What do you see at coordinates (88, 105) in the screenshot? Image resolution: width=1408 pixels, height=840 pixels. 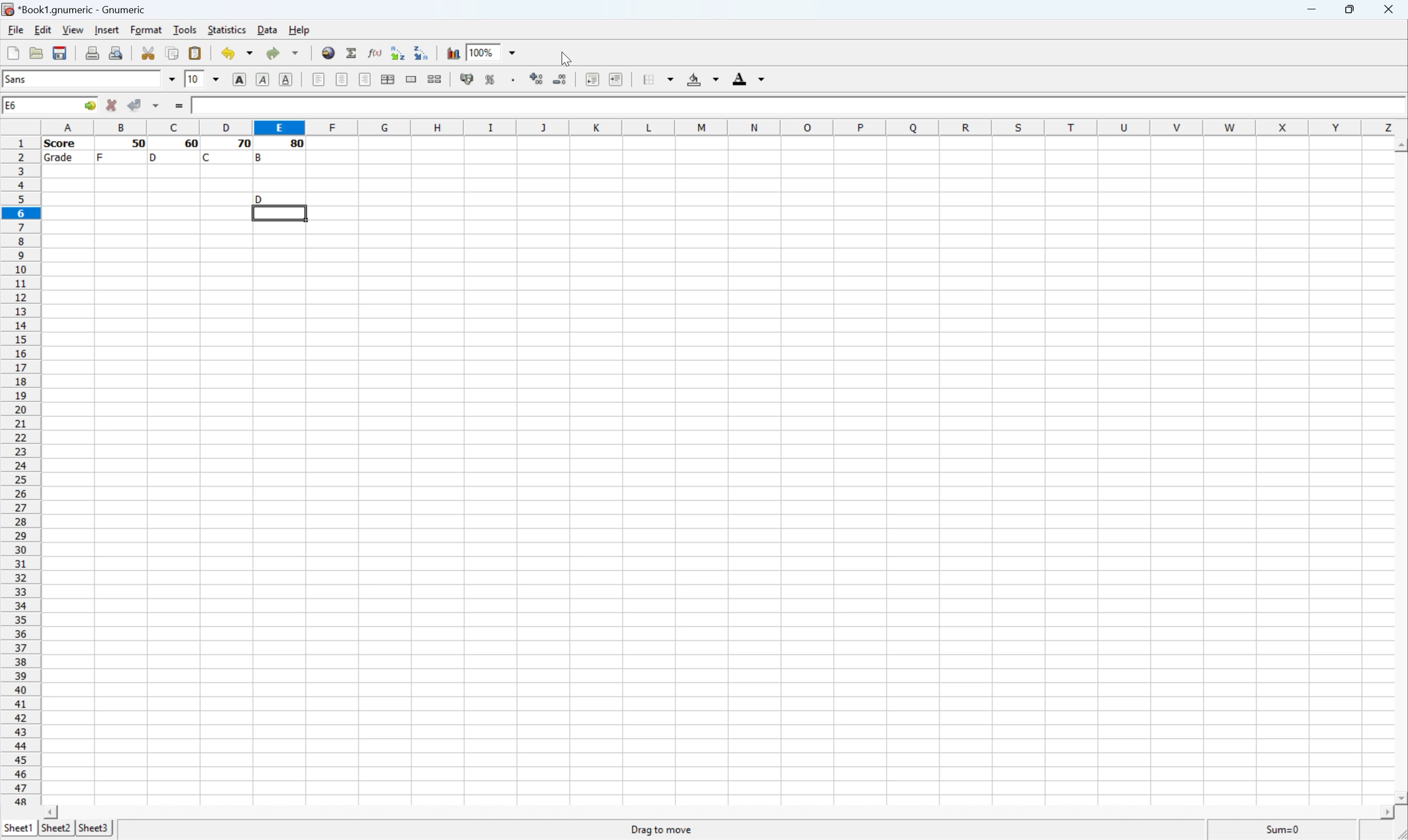 I see `Go to` at bounding box center [88, 105].